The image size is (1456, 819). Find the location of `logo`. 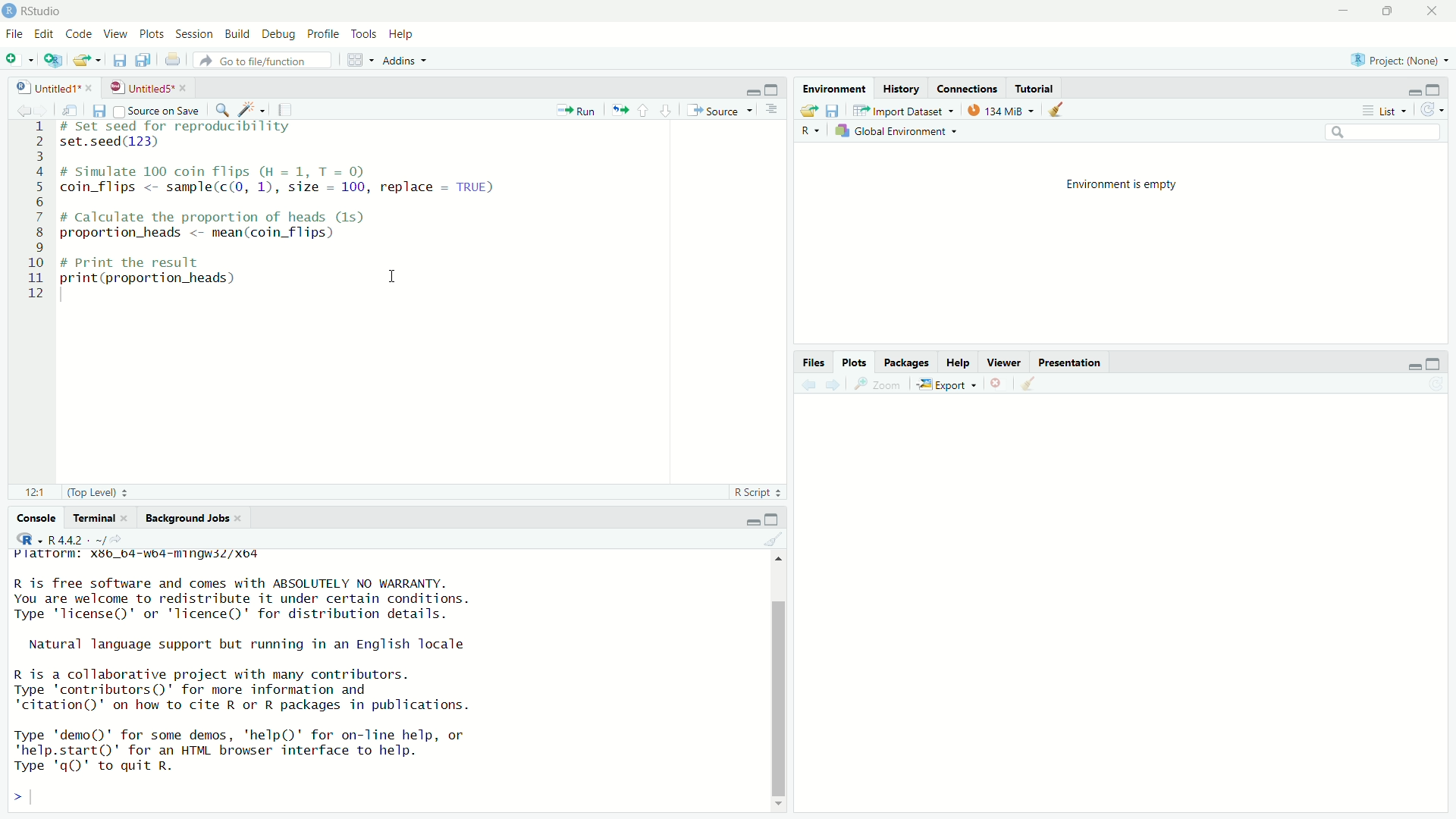

logo is located at coordinates (9, 11).